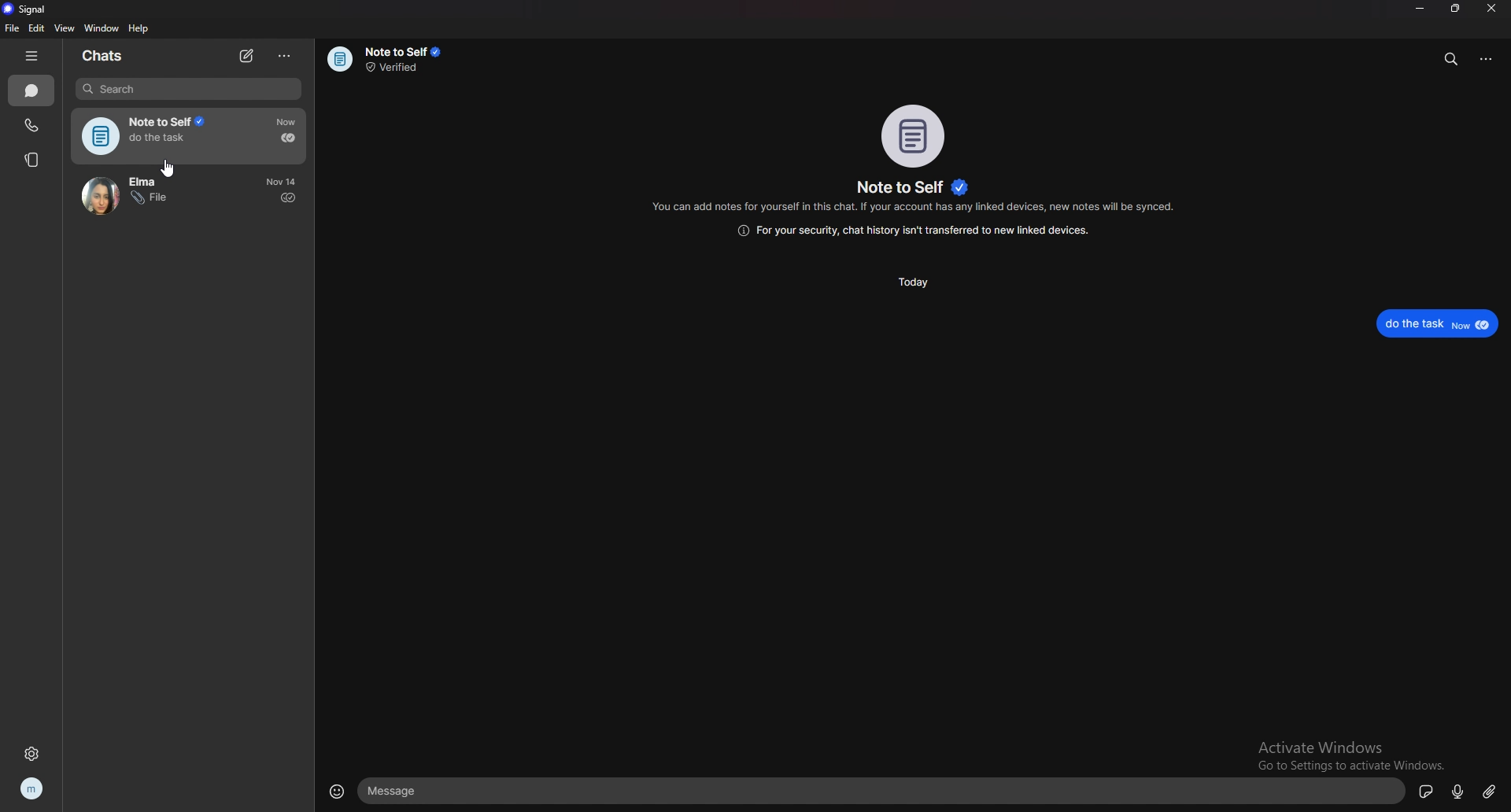  Describe the element at coordinates (918, 282) in the screenshot. I see `today` at that location.